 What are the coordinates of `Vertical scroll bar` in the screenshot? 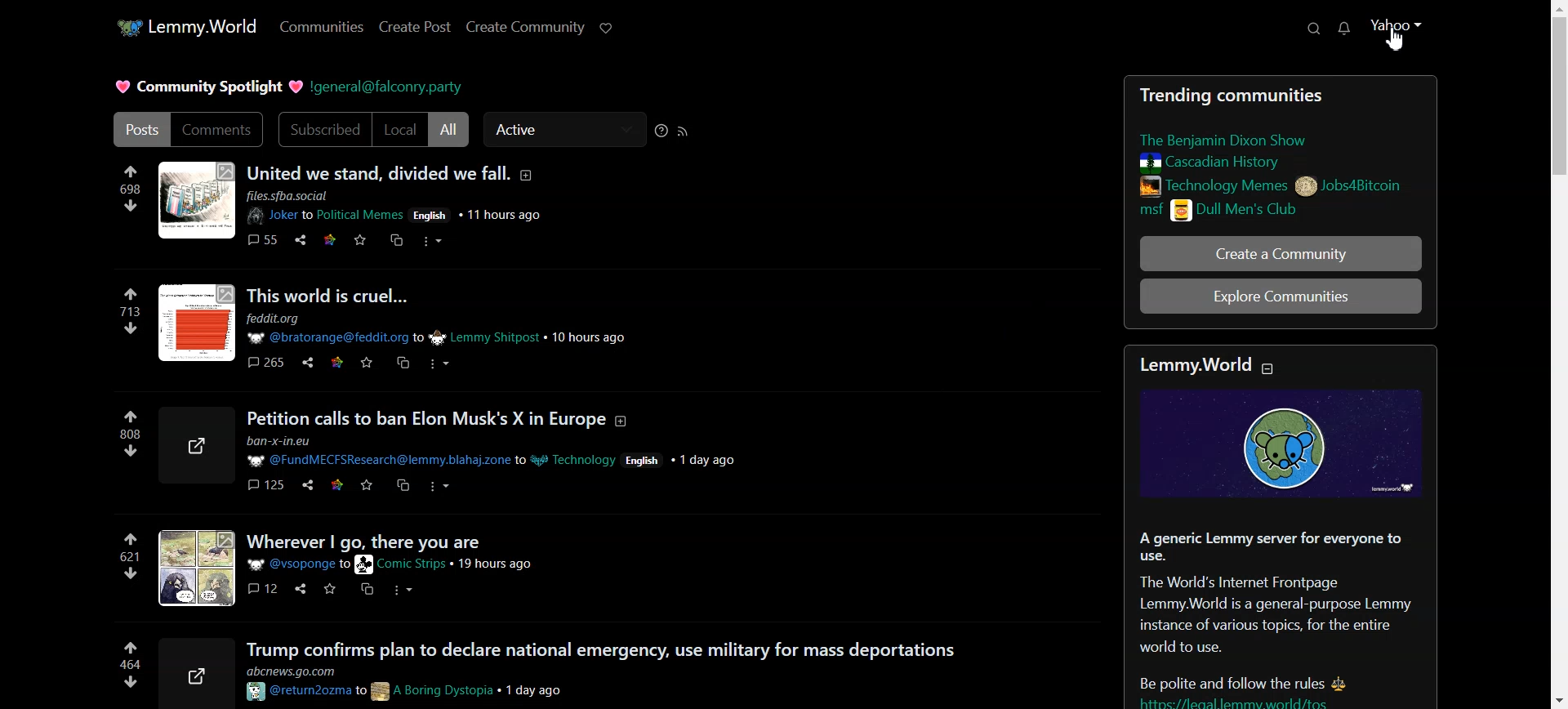 It's located at (1558, 354).